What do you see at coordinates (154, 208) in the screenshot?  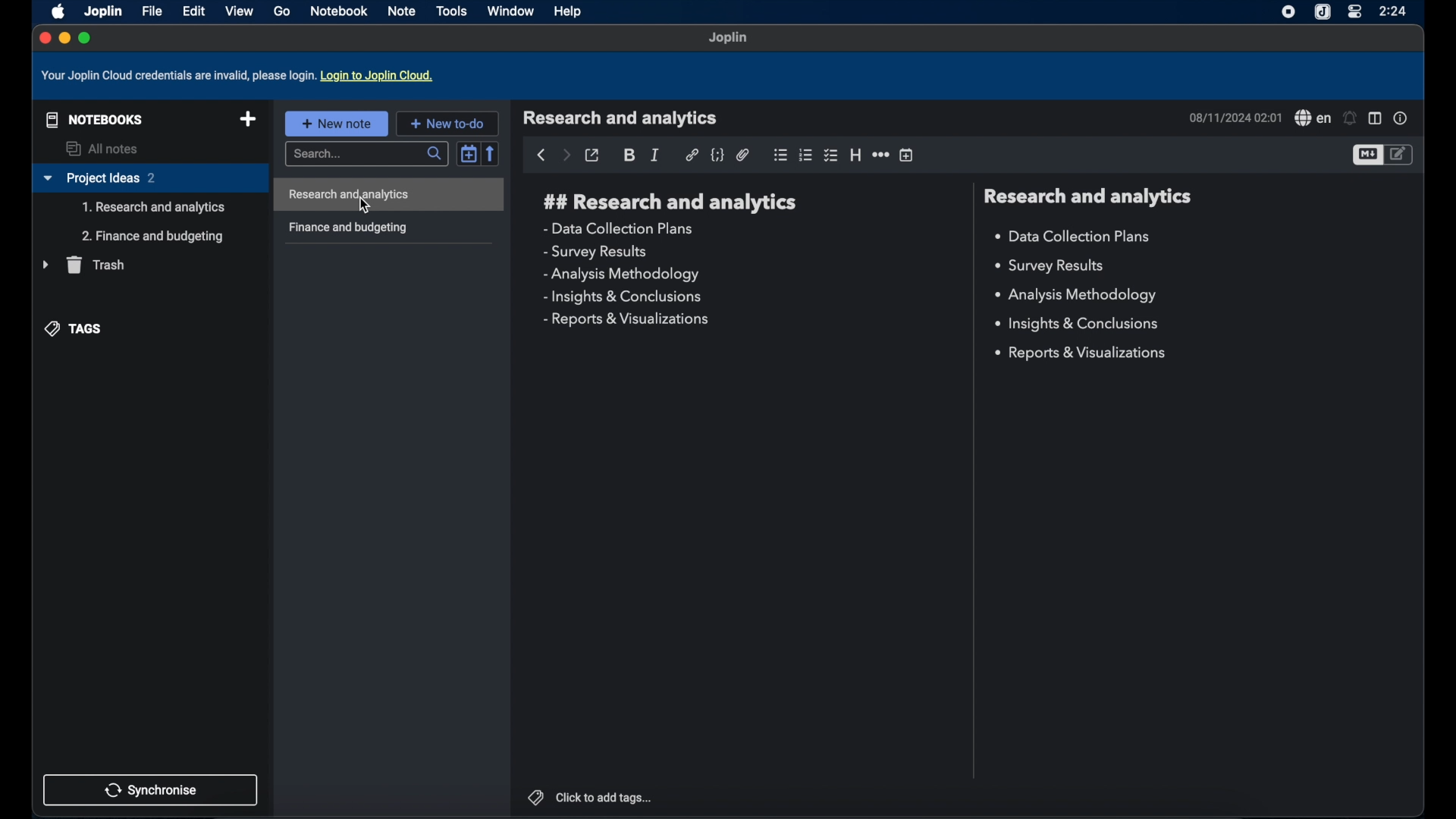 I see `sub-notebook(Research and analytics)` at bounding box center [154, 208].